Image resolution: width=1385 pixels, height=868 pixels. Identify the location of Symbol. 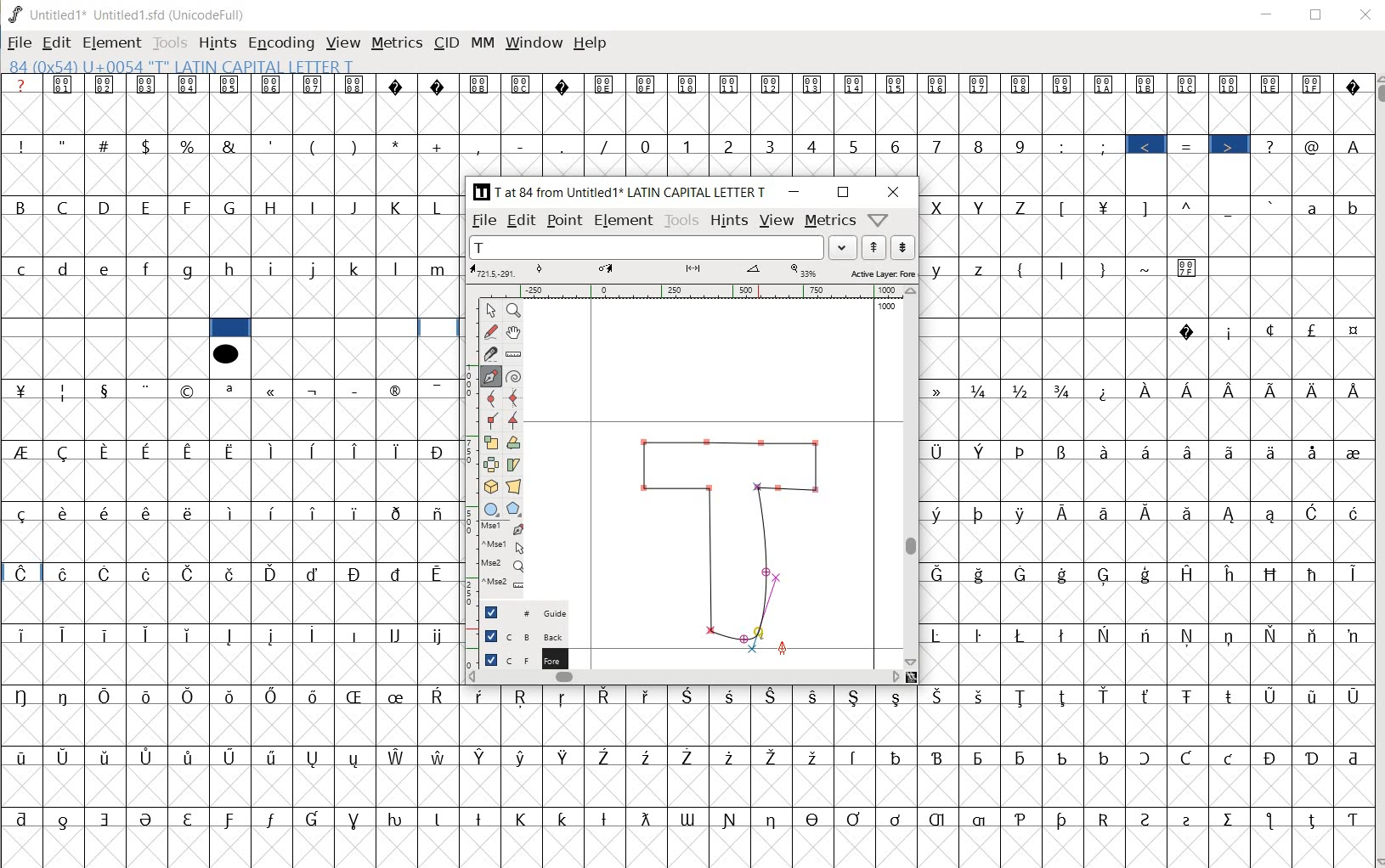
(189, 392).